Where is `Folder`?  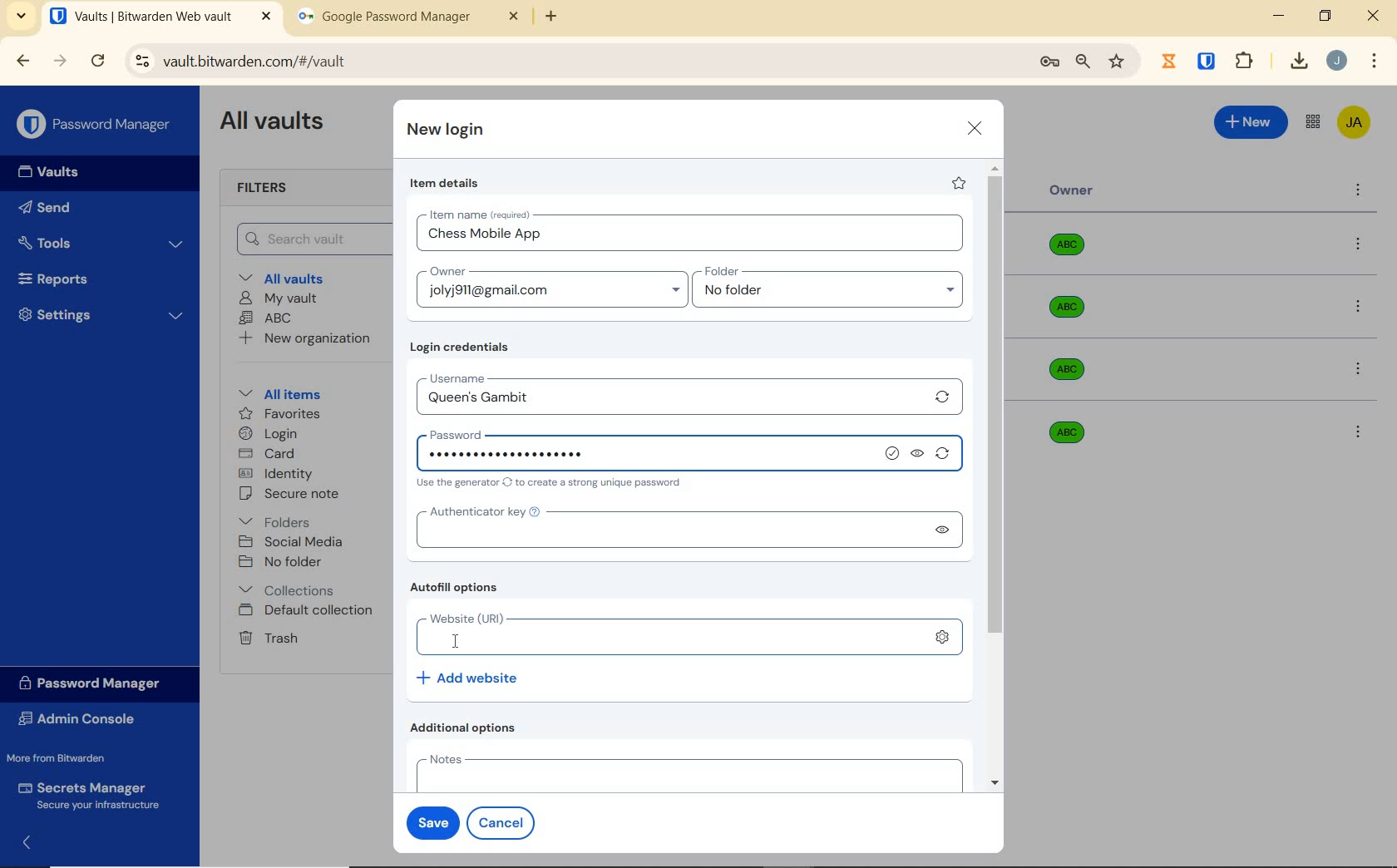 Folder is located at coordinates (822, 272).